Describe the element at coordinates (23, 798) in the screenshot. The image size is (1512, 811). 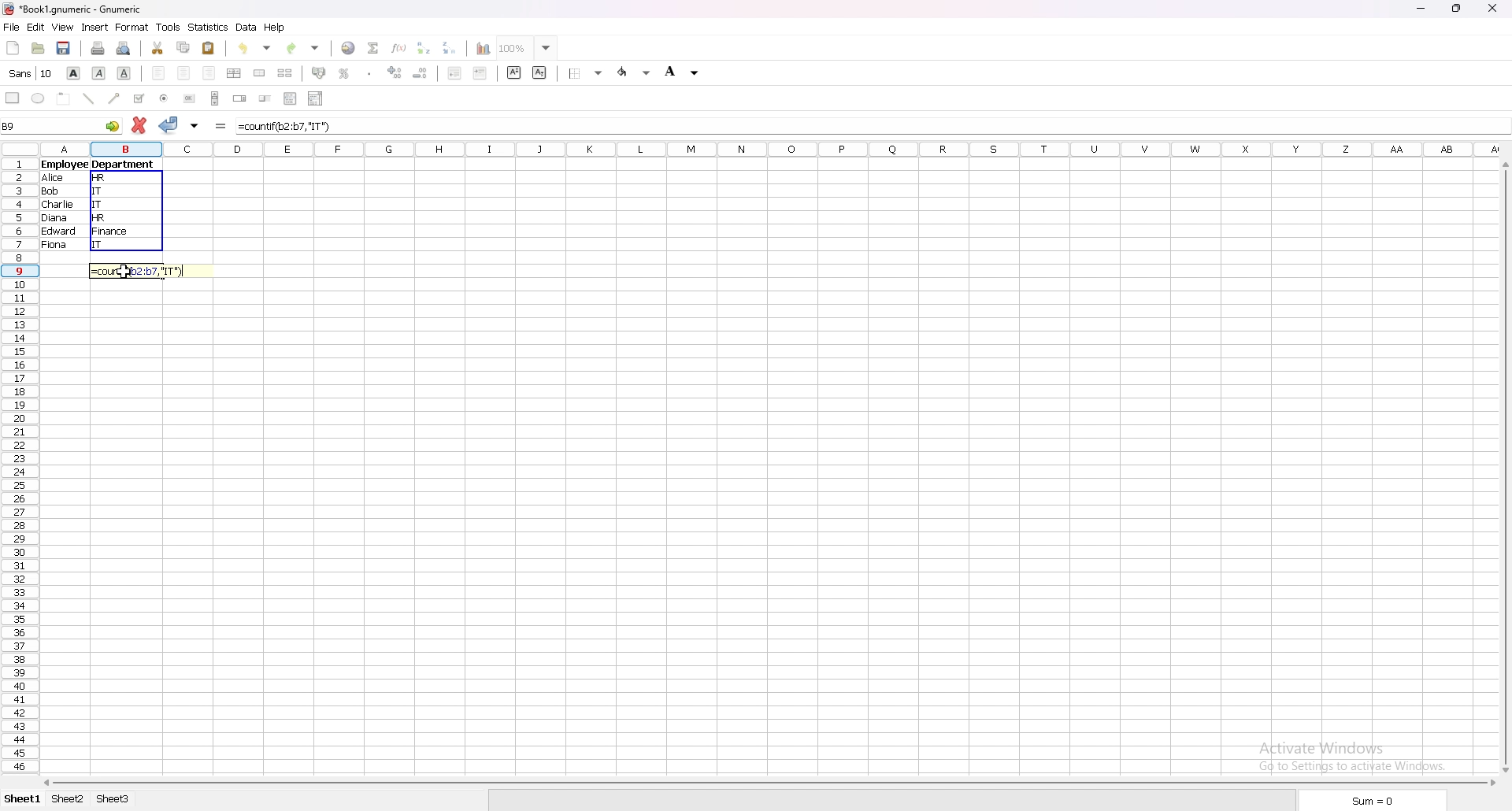
I see `sheet 1` at that location.